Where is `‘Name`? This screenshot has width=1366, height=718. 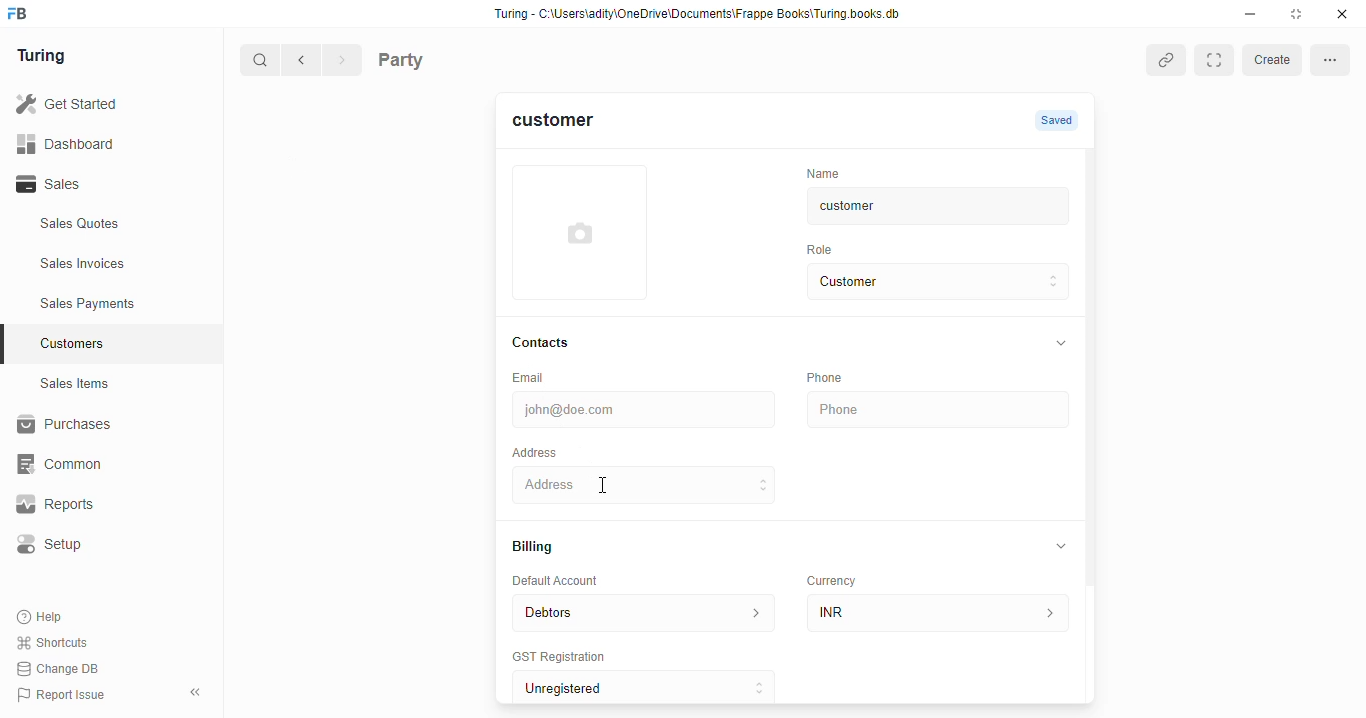
‘Name is located at coordinates (821, 172).